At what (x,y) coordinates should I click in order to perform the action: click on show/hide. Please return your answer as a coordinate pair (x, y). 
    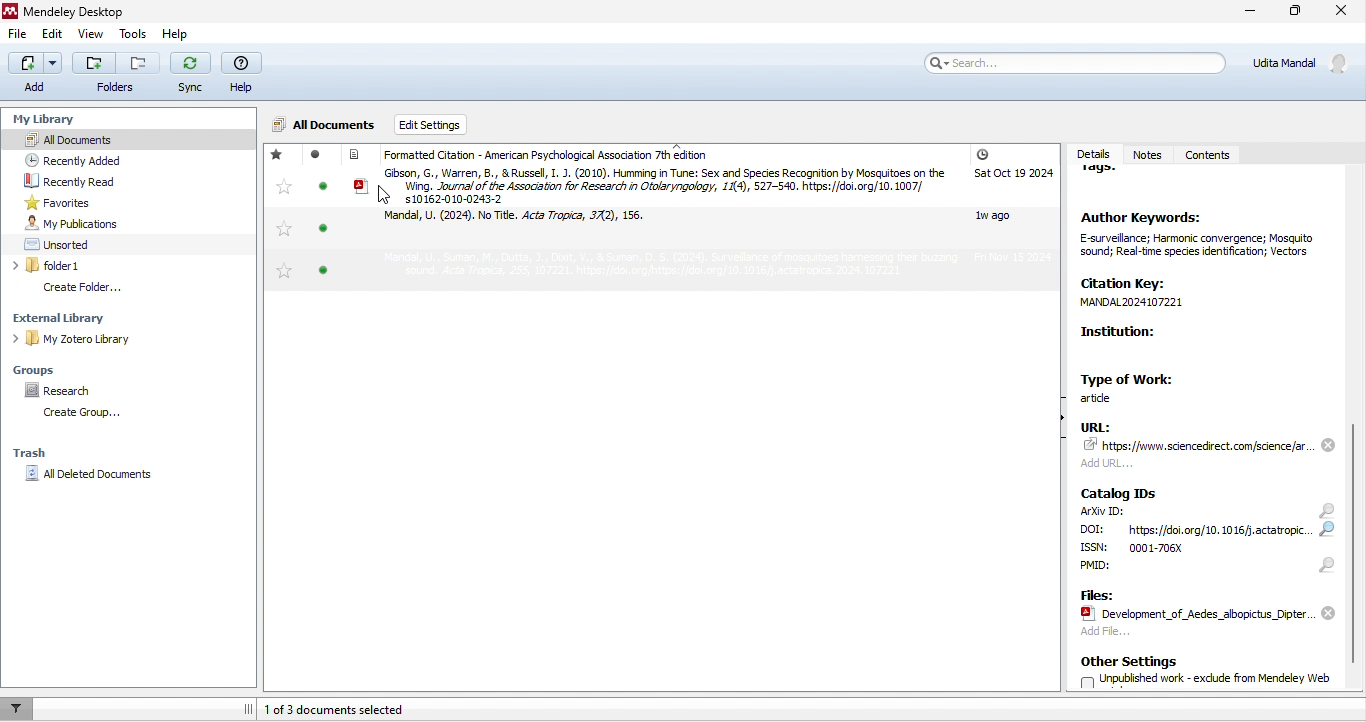
    Looking at the image, I should click on (1054, 429).